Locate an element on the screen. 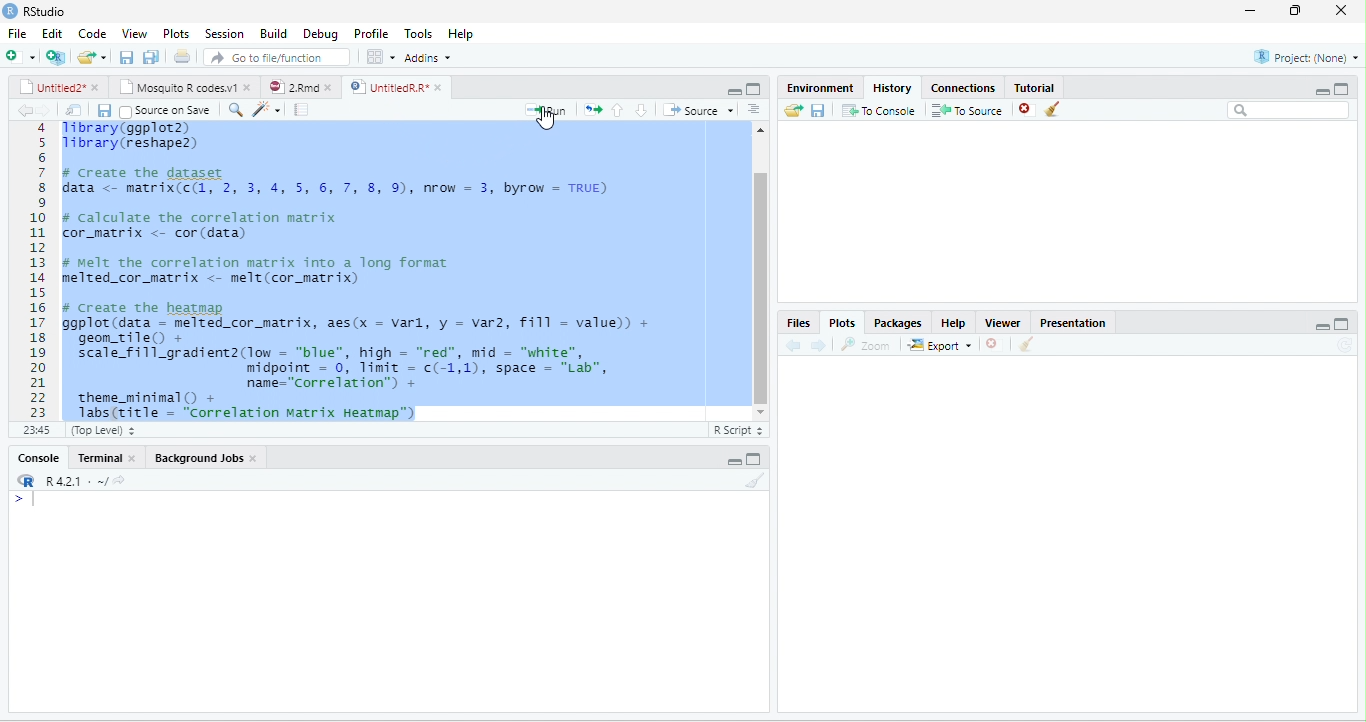  add file is located at coordinates (33, 57).